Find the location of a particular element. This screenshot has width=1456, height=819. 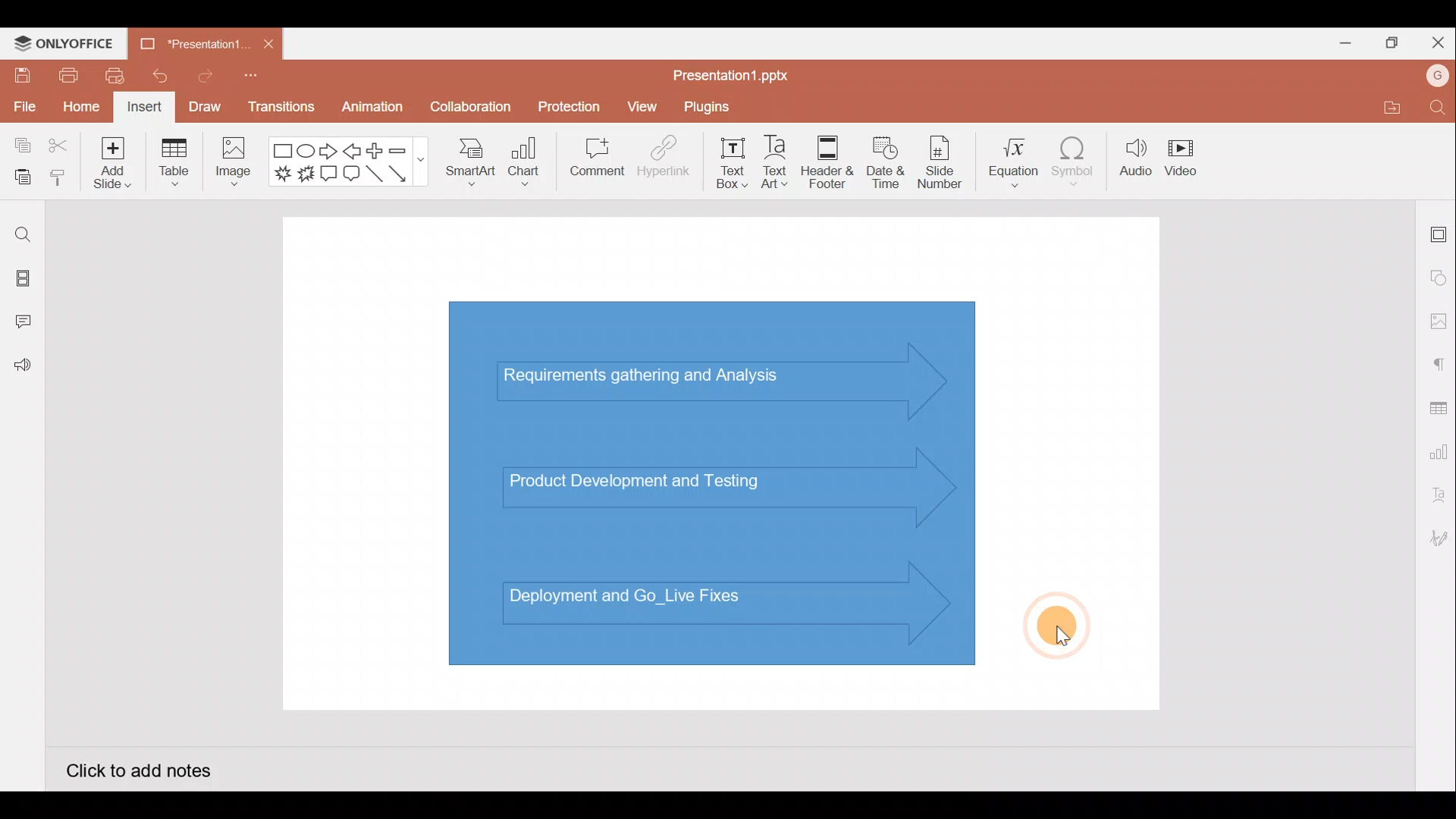

Signature settings is located at coordinates (1436, 540).